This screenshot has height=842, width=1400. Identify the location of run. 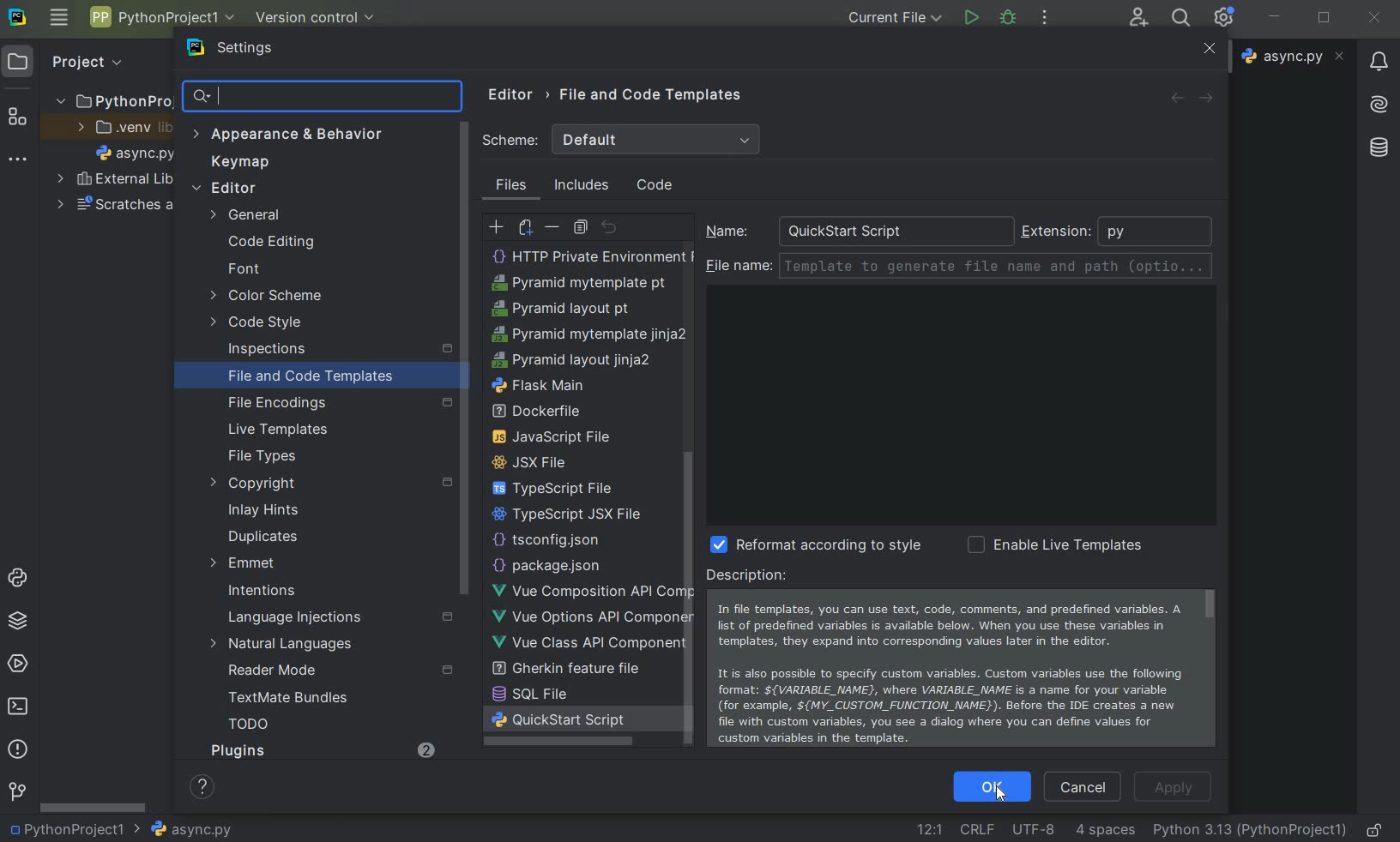
(970, 18).